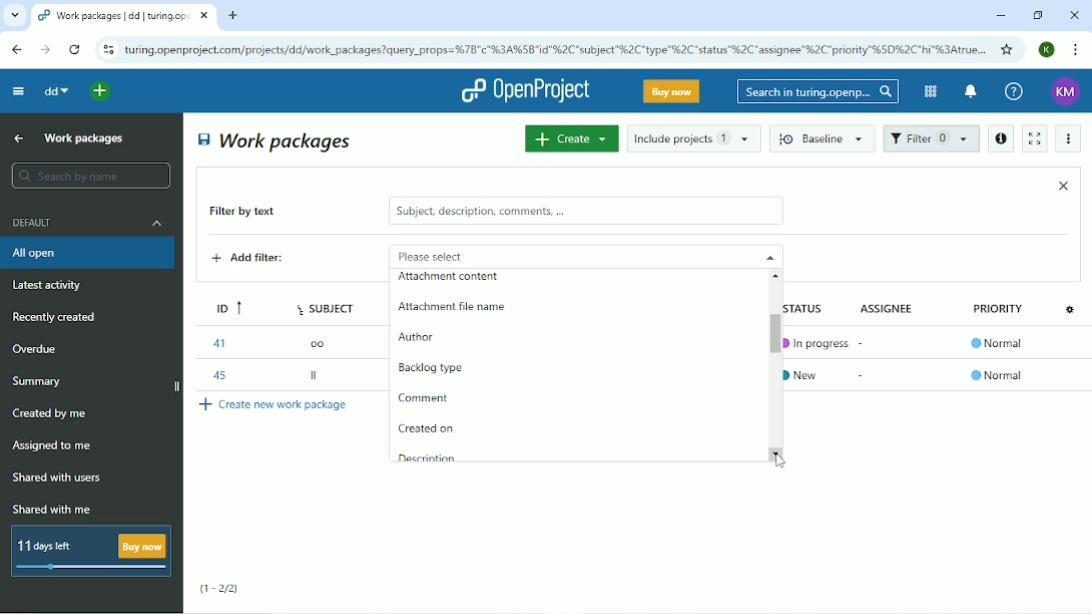 Image resolution: width=1092 pixels, height=614 pixels. What do you see at coordinates (17, 90) in the screenshot?
I see `Collapse project menu` at bounding box center [17, 90].